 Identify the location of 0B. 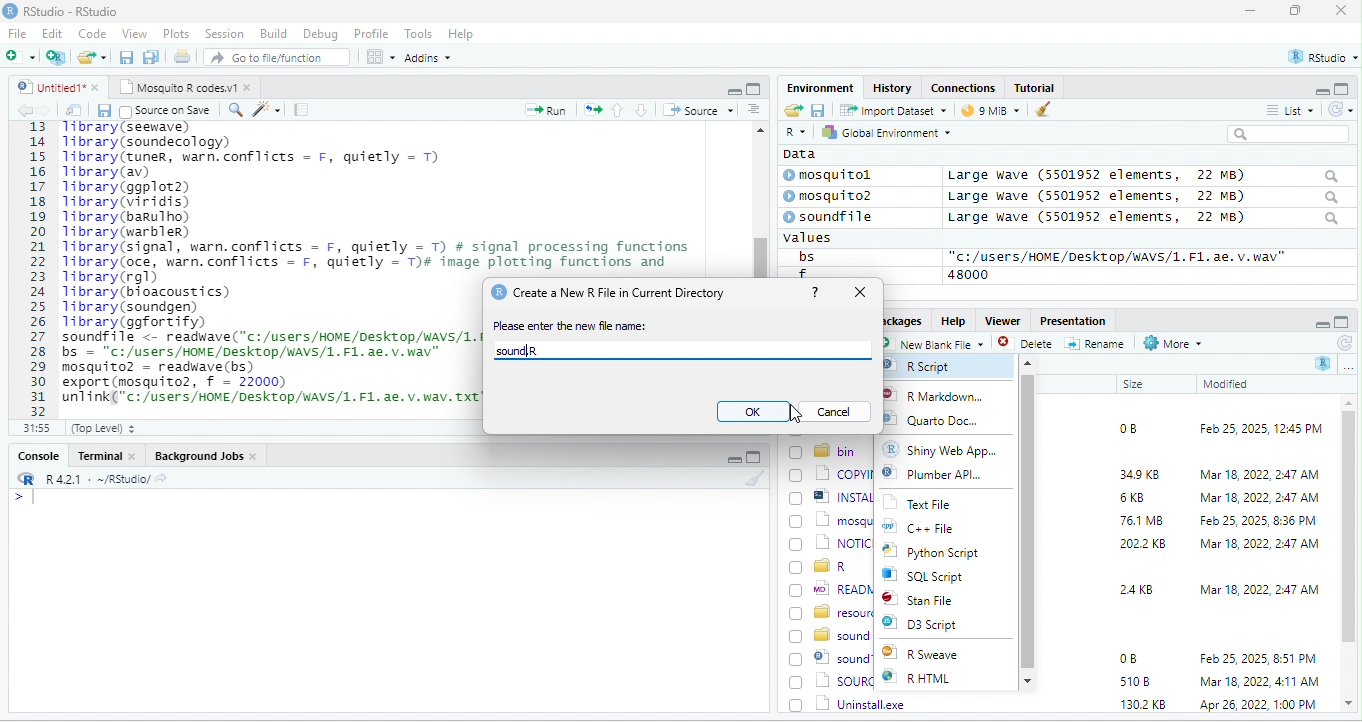
(1127, 659).